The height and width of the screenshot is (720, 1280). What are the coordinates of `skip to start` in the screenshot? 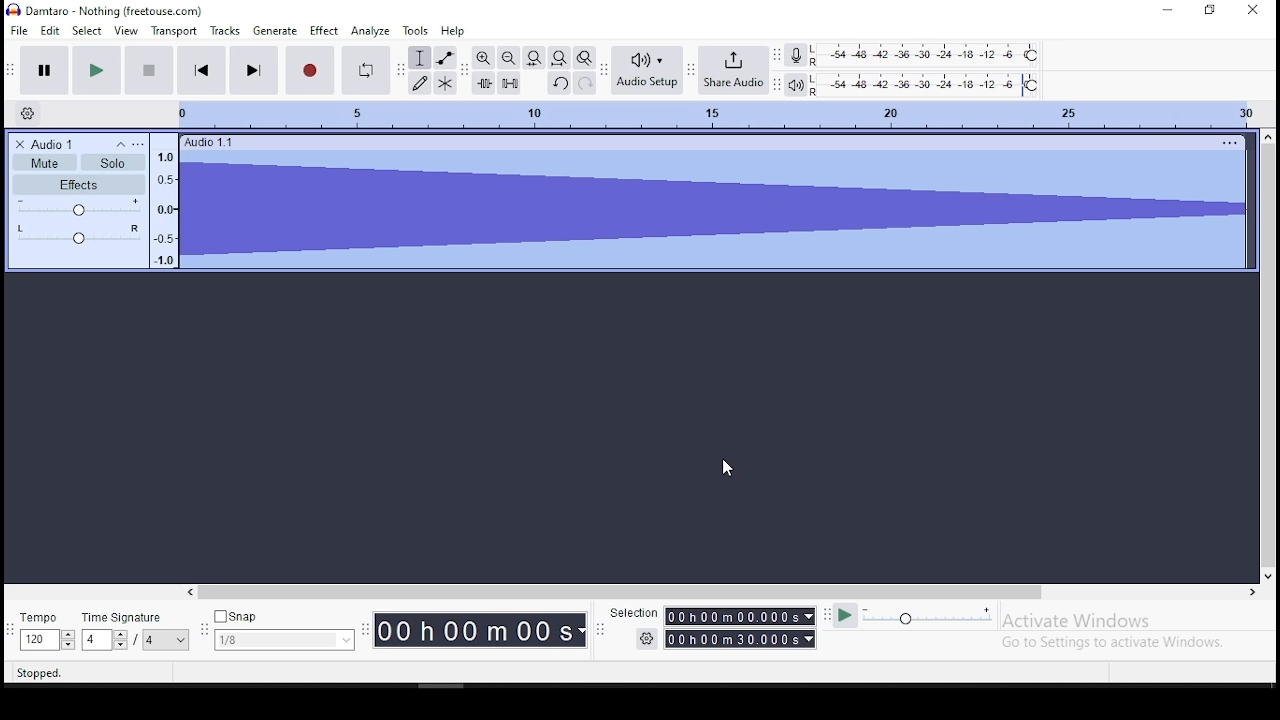 It's located at (201, 69).